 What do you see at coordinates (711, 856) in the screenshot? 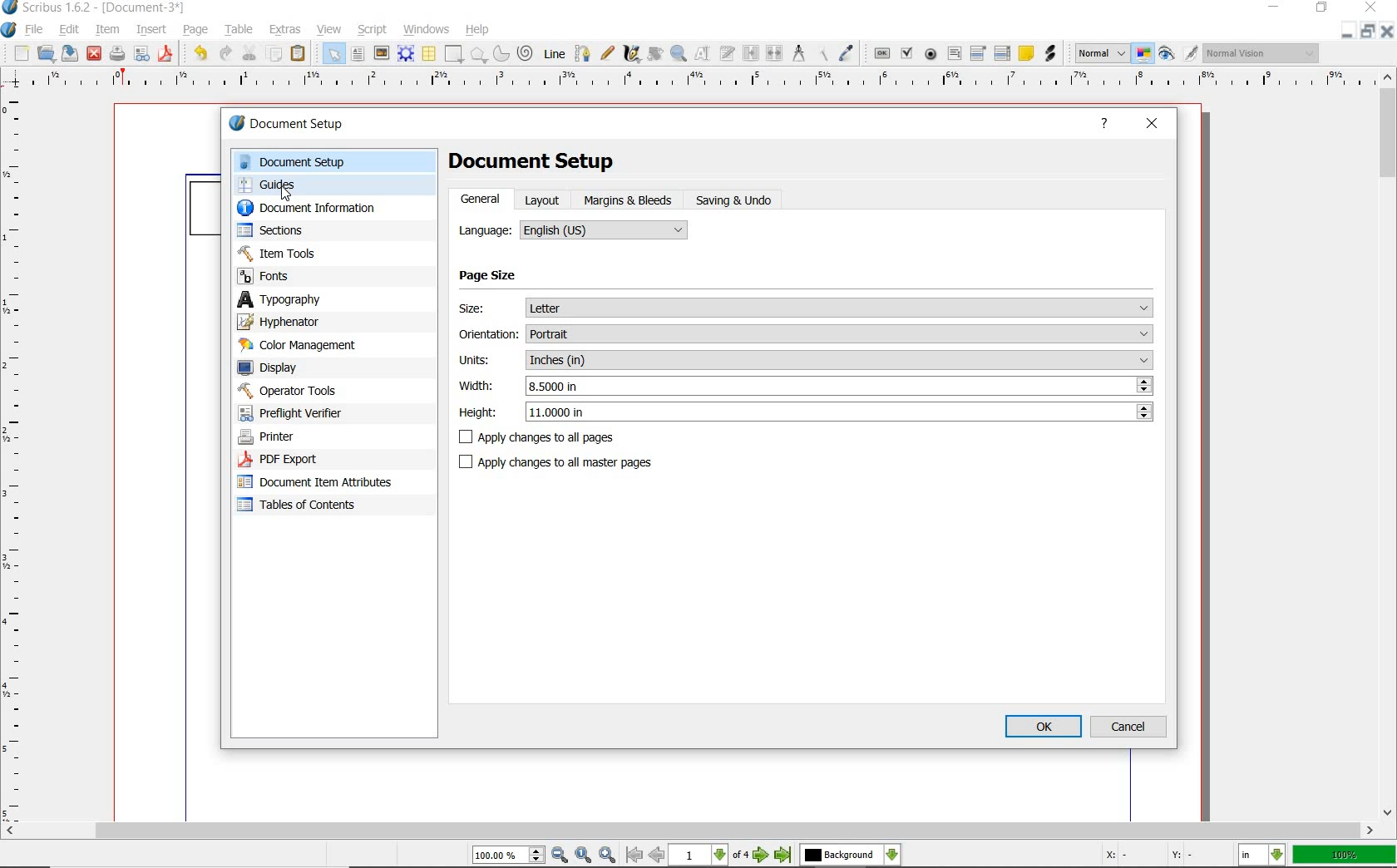
I see `select current page` at bounding box center [711, 856].